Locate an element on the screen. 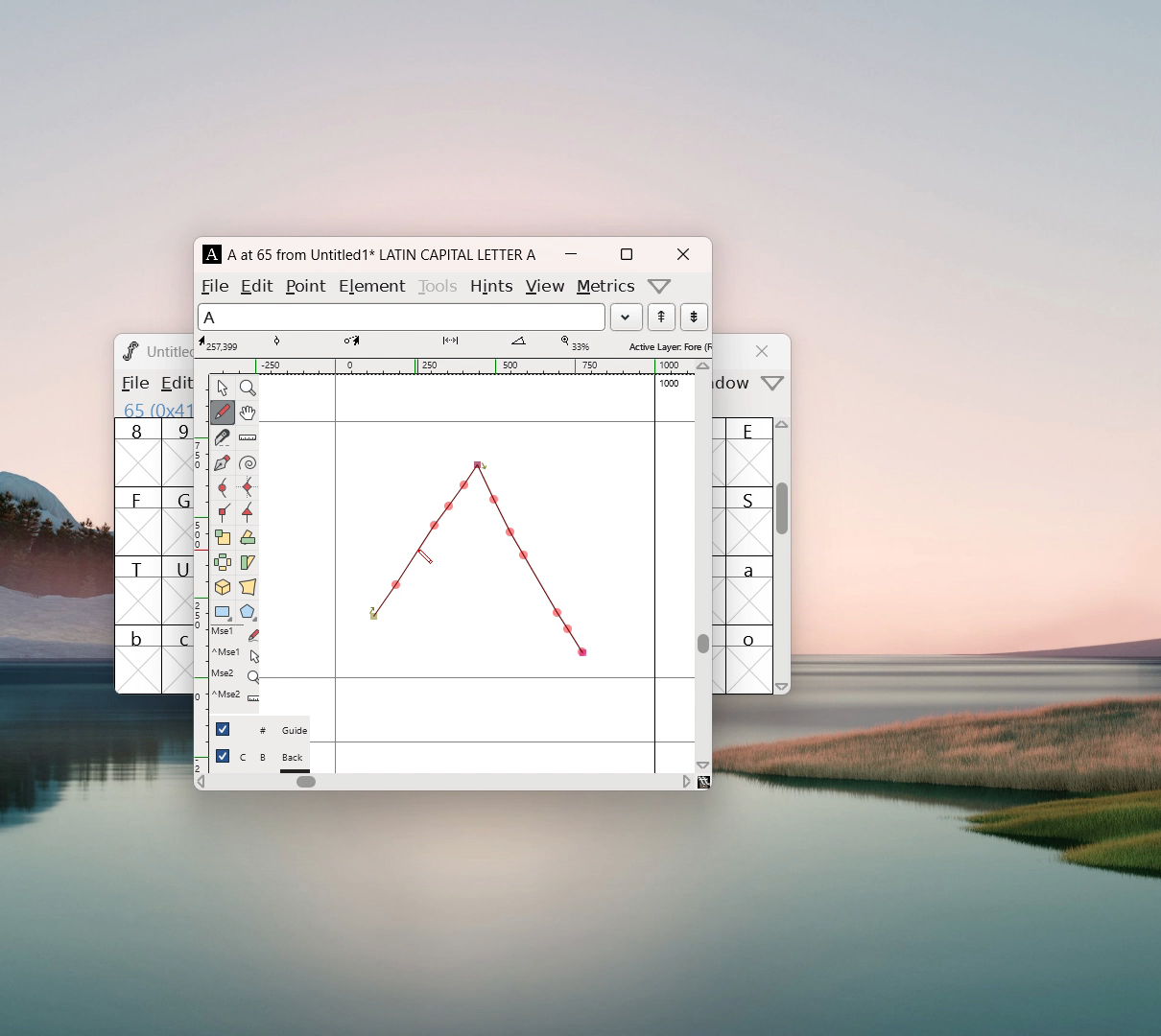 The height and width of the screenshot is (1036, 1161). edit is located at coordinates (258, 285).